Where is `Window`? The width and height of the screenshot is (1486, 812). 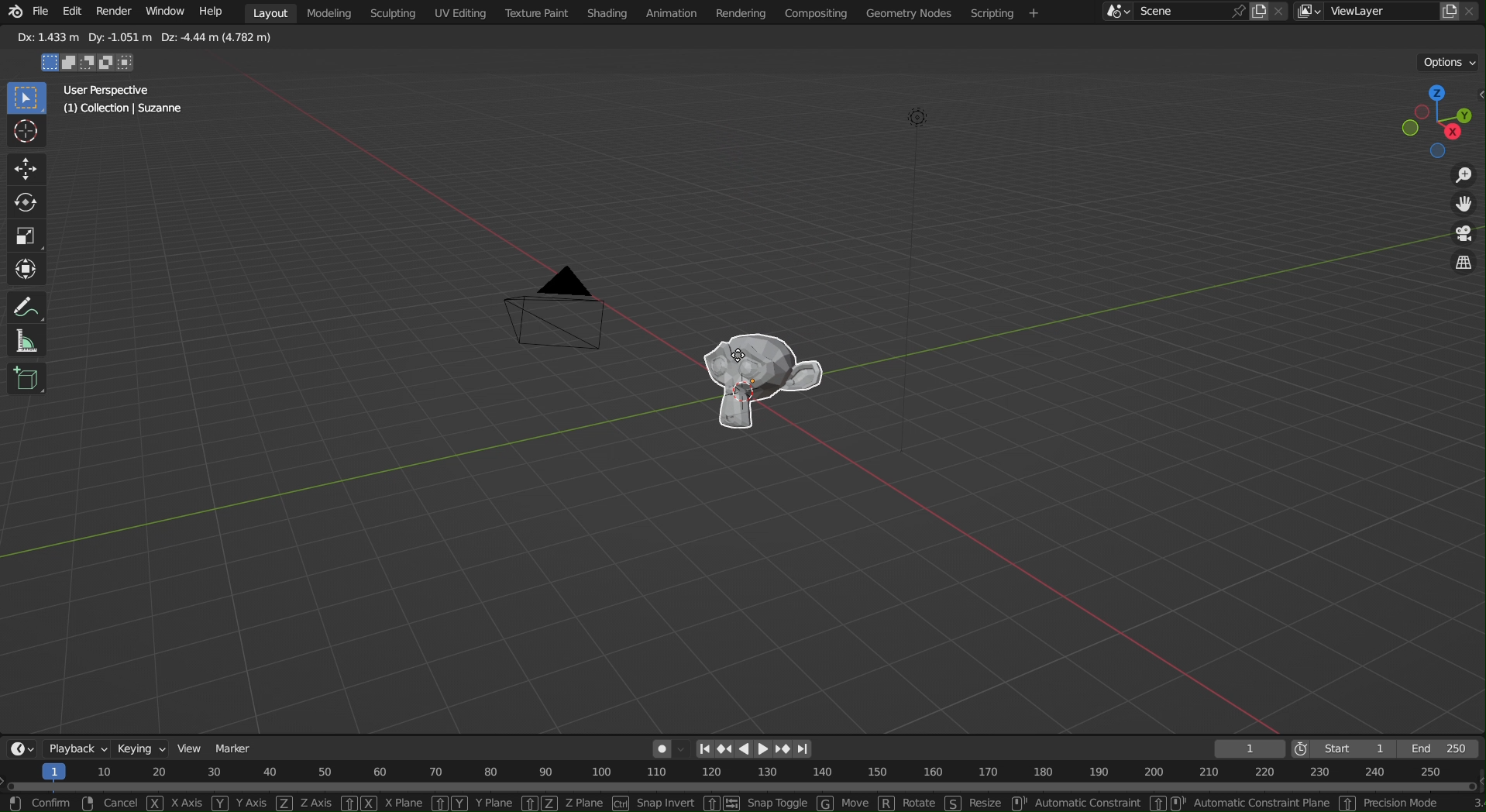
Window is located at coordinates (165, 12).